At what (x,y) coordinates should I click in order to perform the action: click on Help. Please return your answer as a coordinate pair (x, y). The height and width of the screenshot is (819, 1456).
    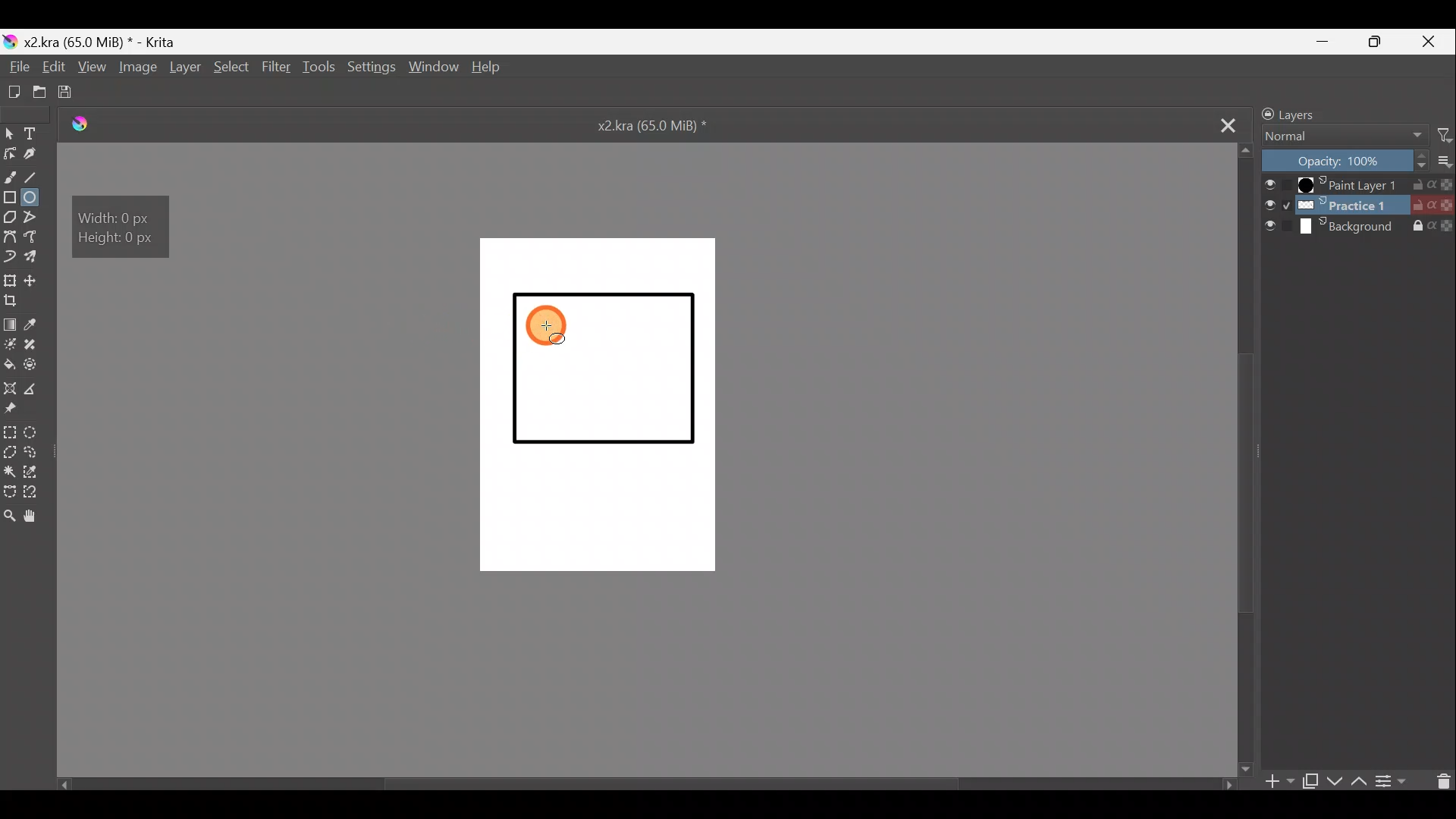
    Looking at the image, I should click on (490, 69).